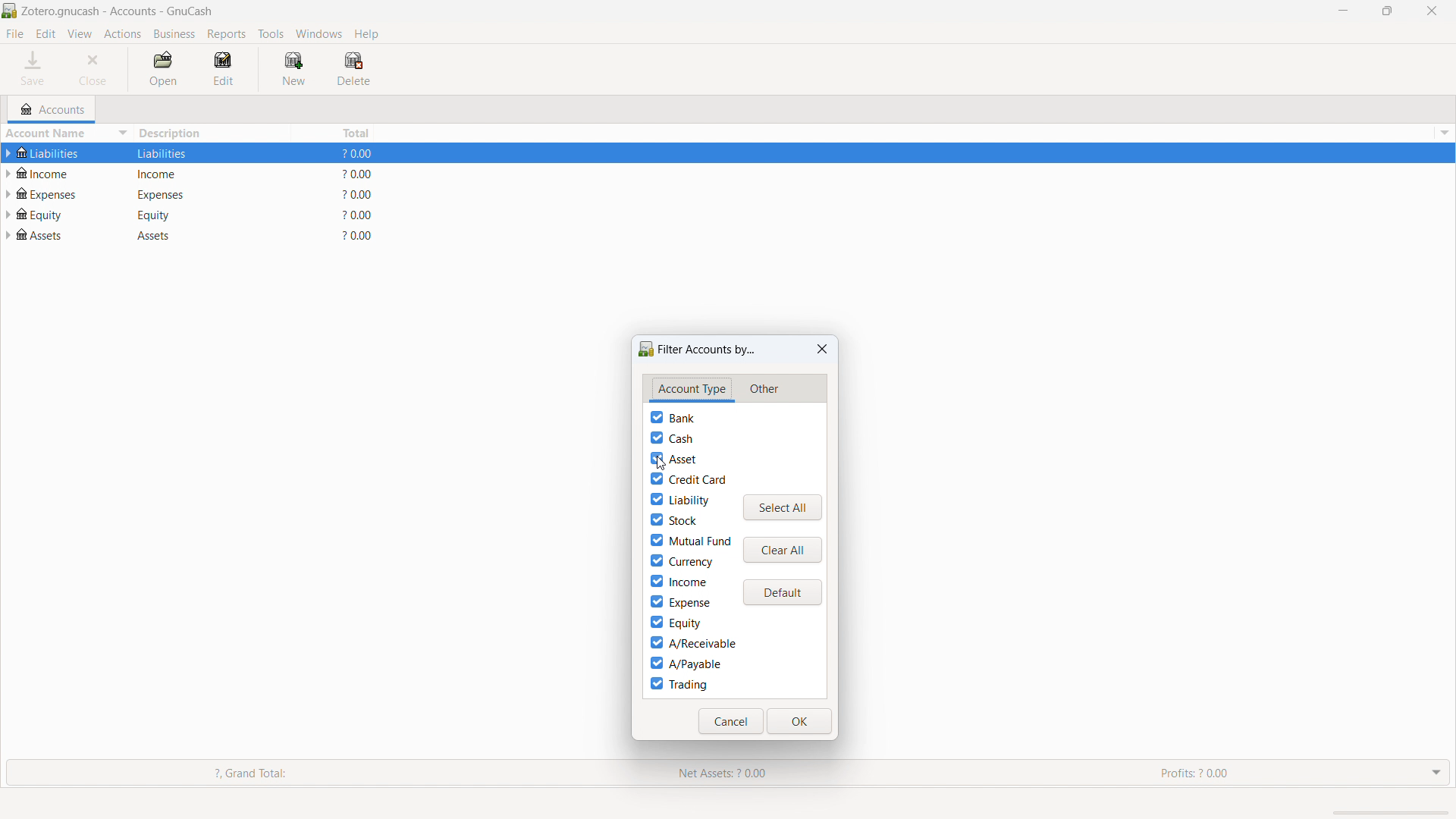 Image resolution: width=1456 pixels, height=819 pixels. What do you see at coordinates (168, 237) in the screenshot?
I see `assets` at bounding box center [168, 237].